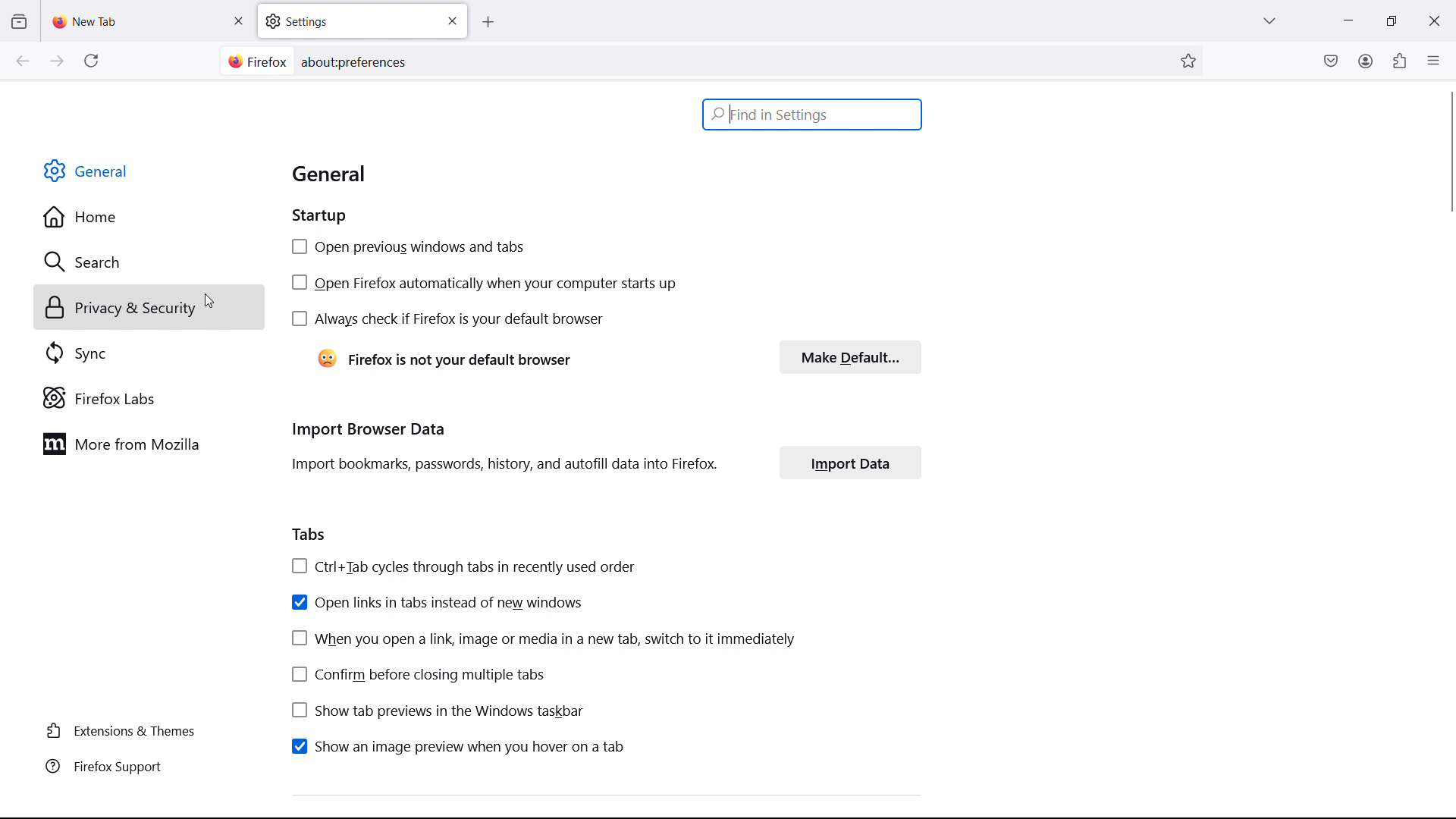 The width and height of the screenshot is (1456, 819). Describe the element at coordinates (421, 673) in the screenshot. I see `confirm before closing multiple tabs checkbox` at that location.